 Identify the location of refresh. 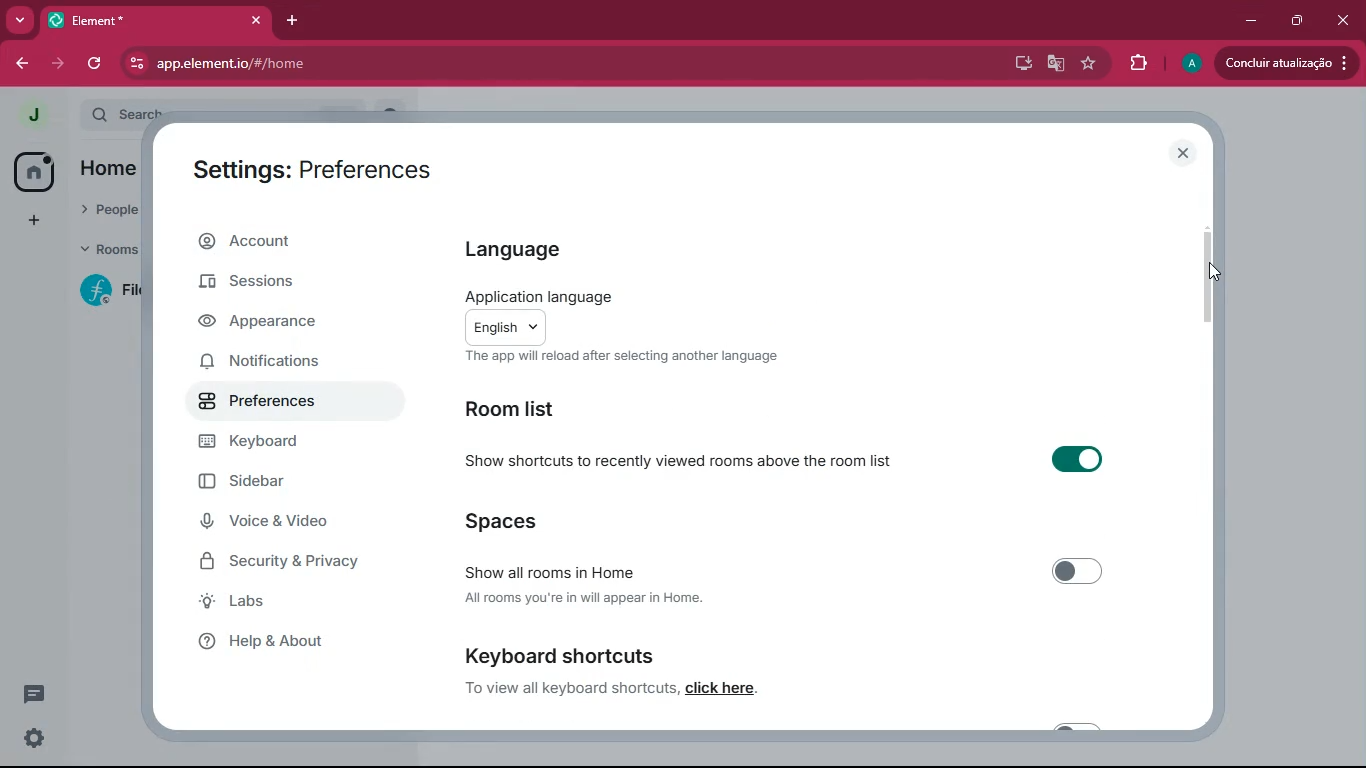
(96, 65).